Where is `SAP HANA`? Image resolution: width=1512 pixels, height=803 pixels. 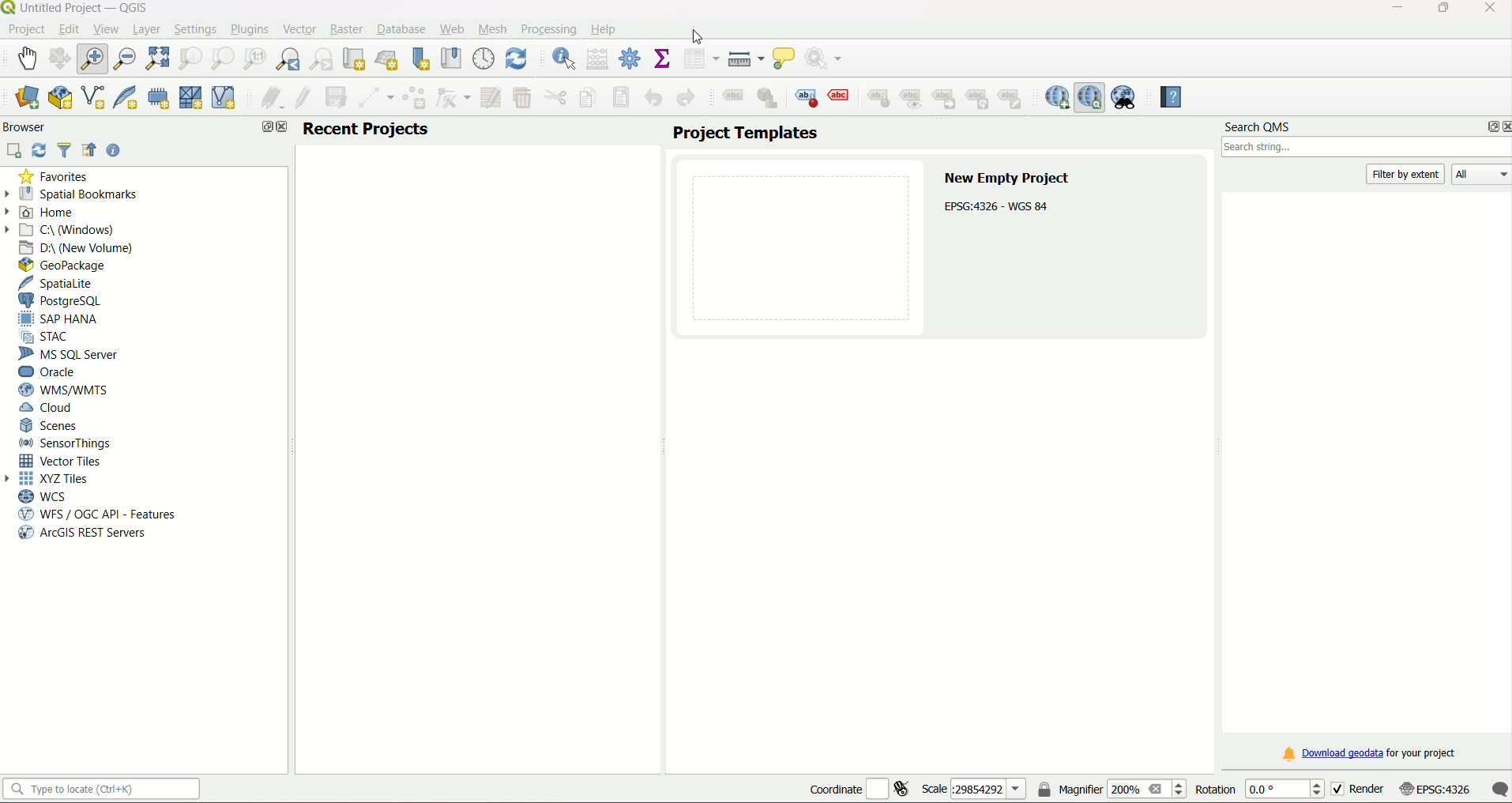 SAP HANA is located at coordinates (63, 319).